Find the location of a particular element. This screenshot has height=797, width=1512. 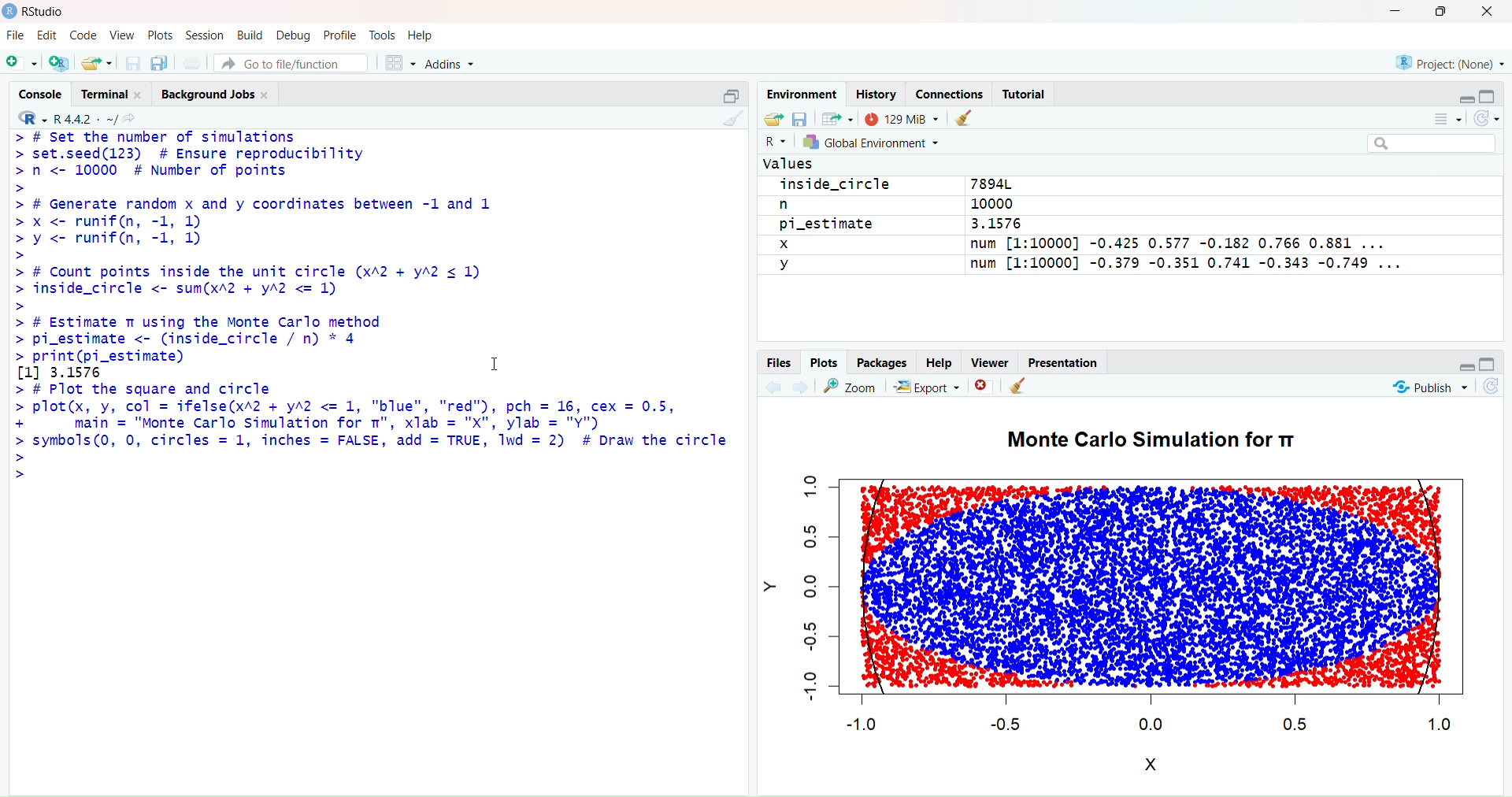

Project (Note) is located at coordinates (1444, 63).